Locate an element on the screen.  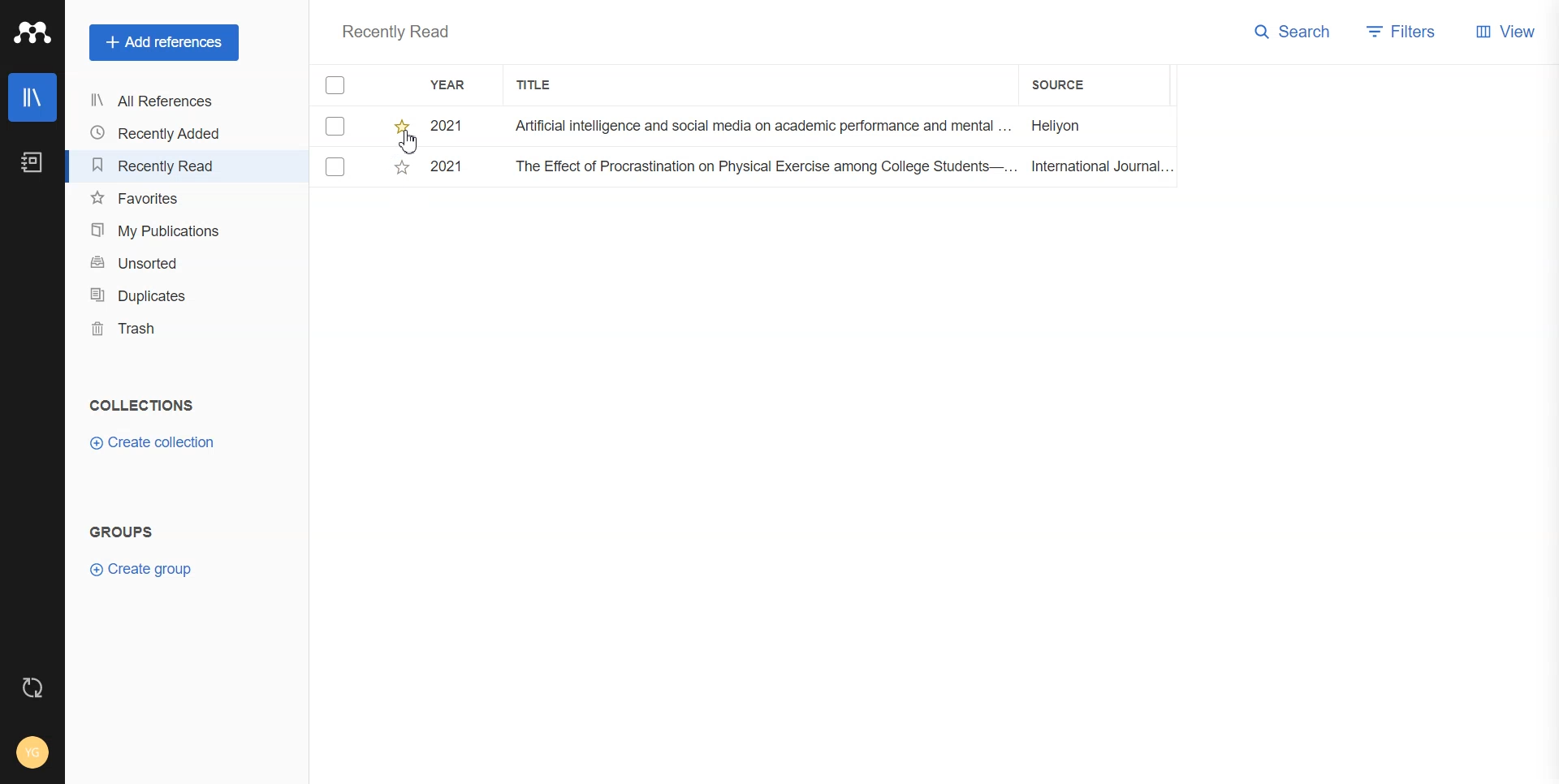
Duplicates is located at coordinates (160, 295).